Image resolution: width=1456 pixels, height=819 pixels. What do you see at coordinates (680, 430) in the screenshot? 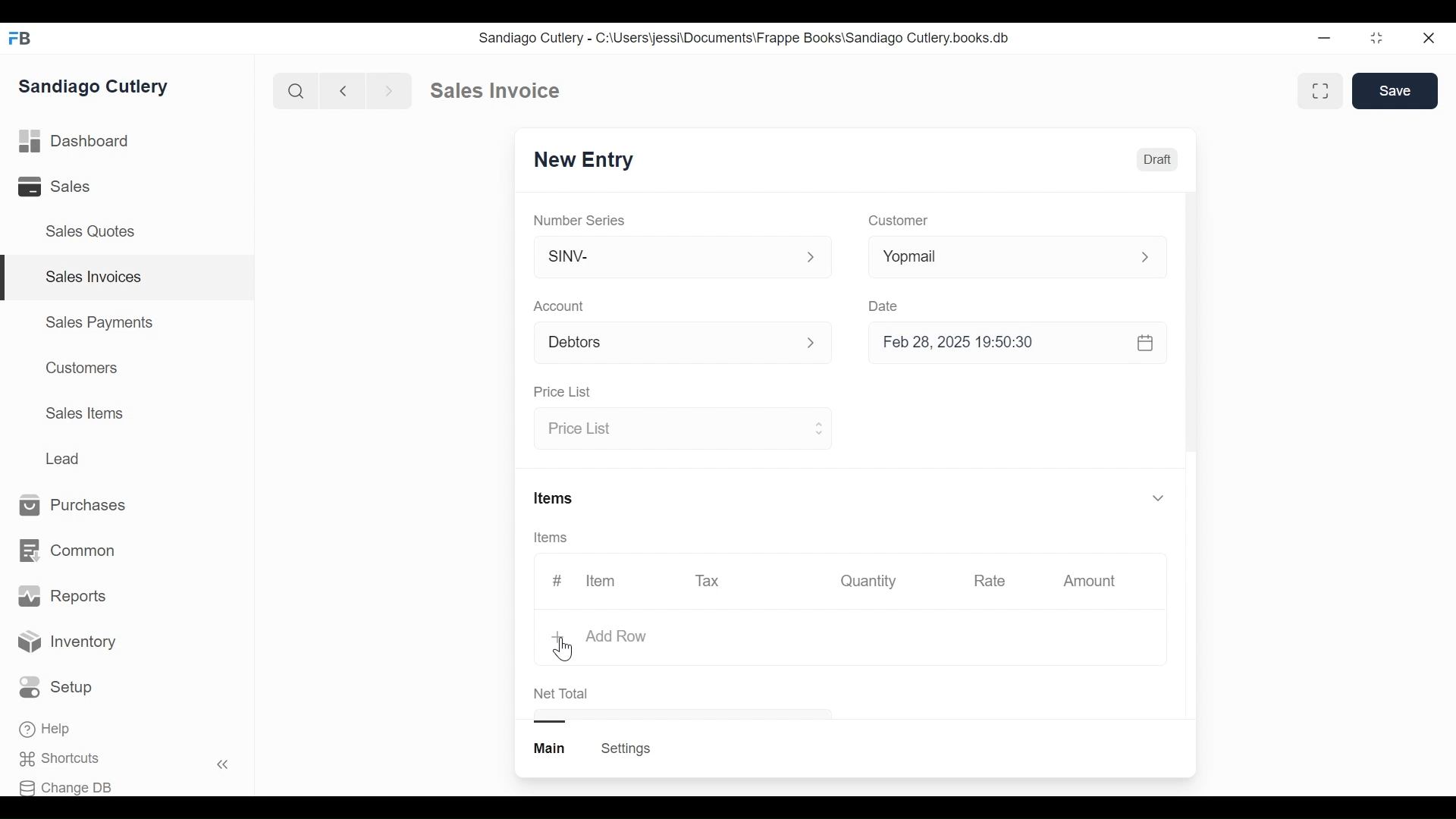
I see `Price List` at bounding box center [680, 430].